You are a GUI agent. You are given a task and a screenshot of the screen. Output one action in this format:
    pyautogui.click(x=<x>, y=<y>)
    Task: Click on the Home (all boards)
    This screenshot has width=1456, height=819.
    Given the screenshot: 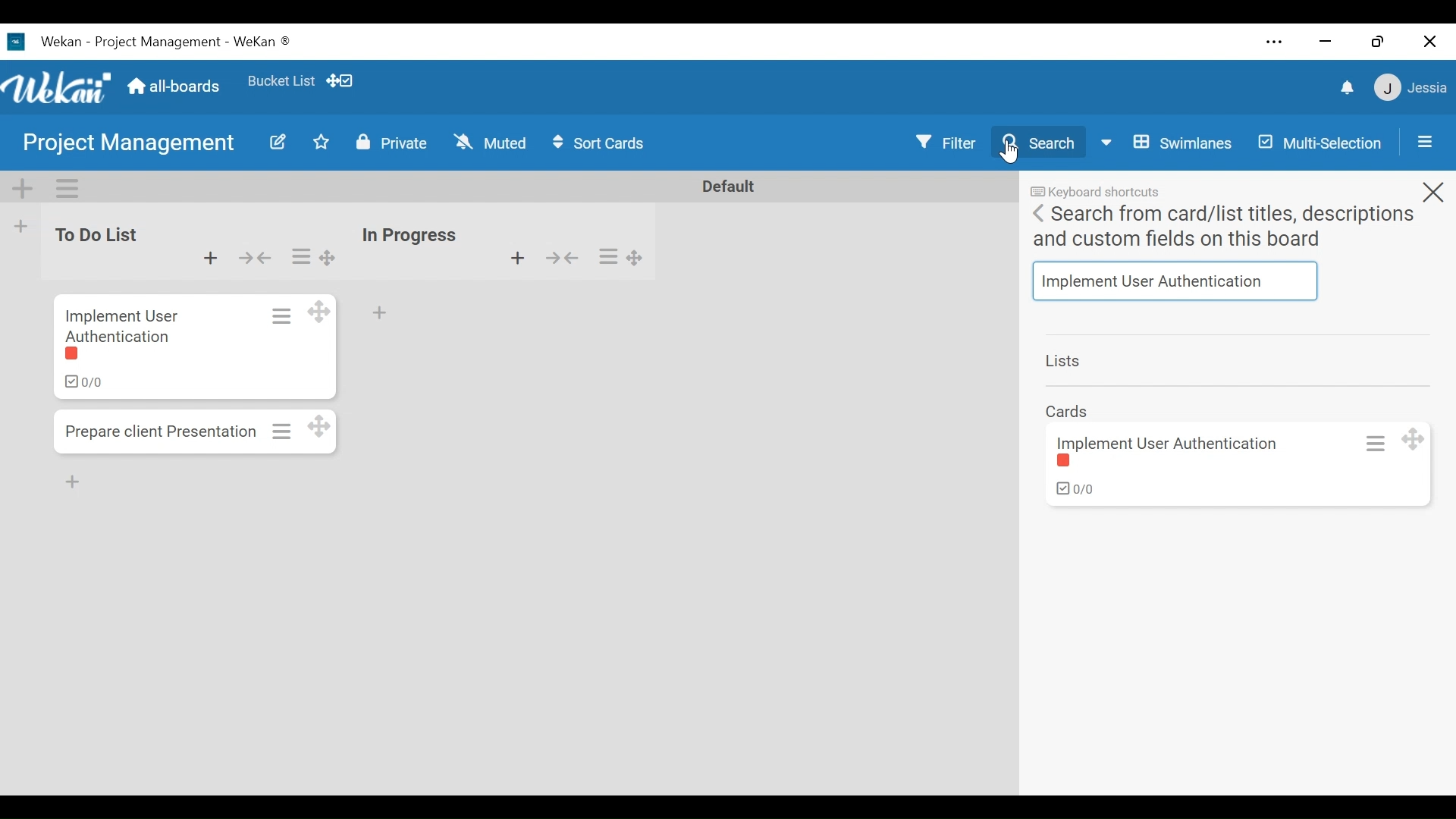 What is the action you would take?
    pyautogui.click(x=178, y=86)
    